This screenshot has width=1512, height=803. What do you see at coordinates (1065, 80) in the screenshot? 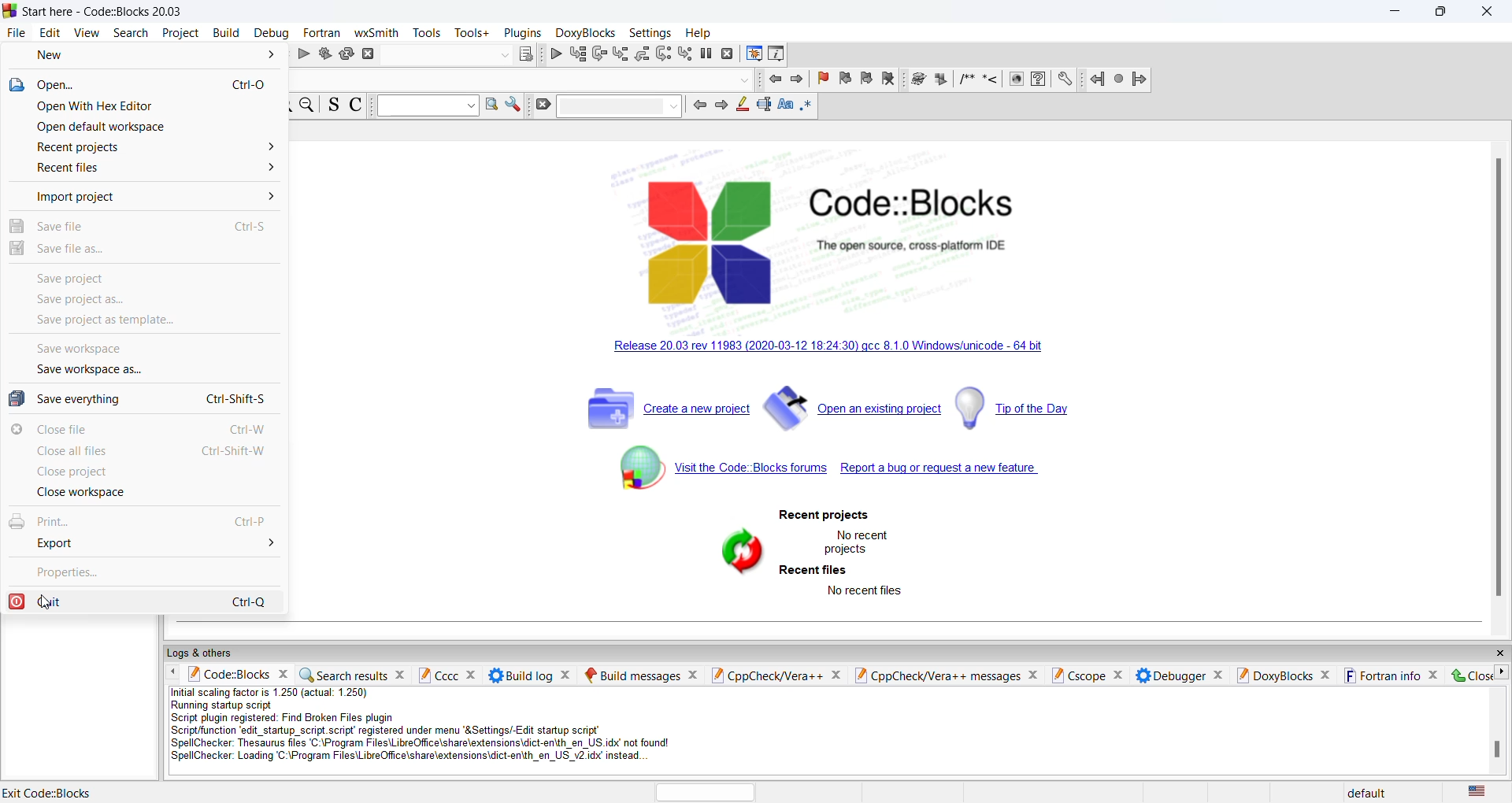
I see `setting` at bounding box center [1065, 80].